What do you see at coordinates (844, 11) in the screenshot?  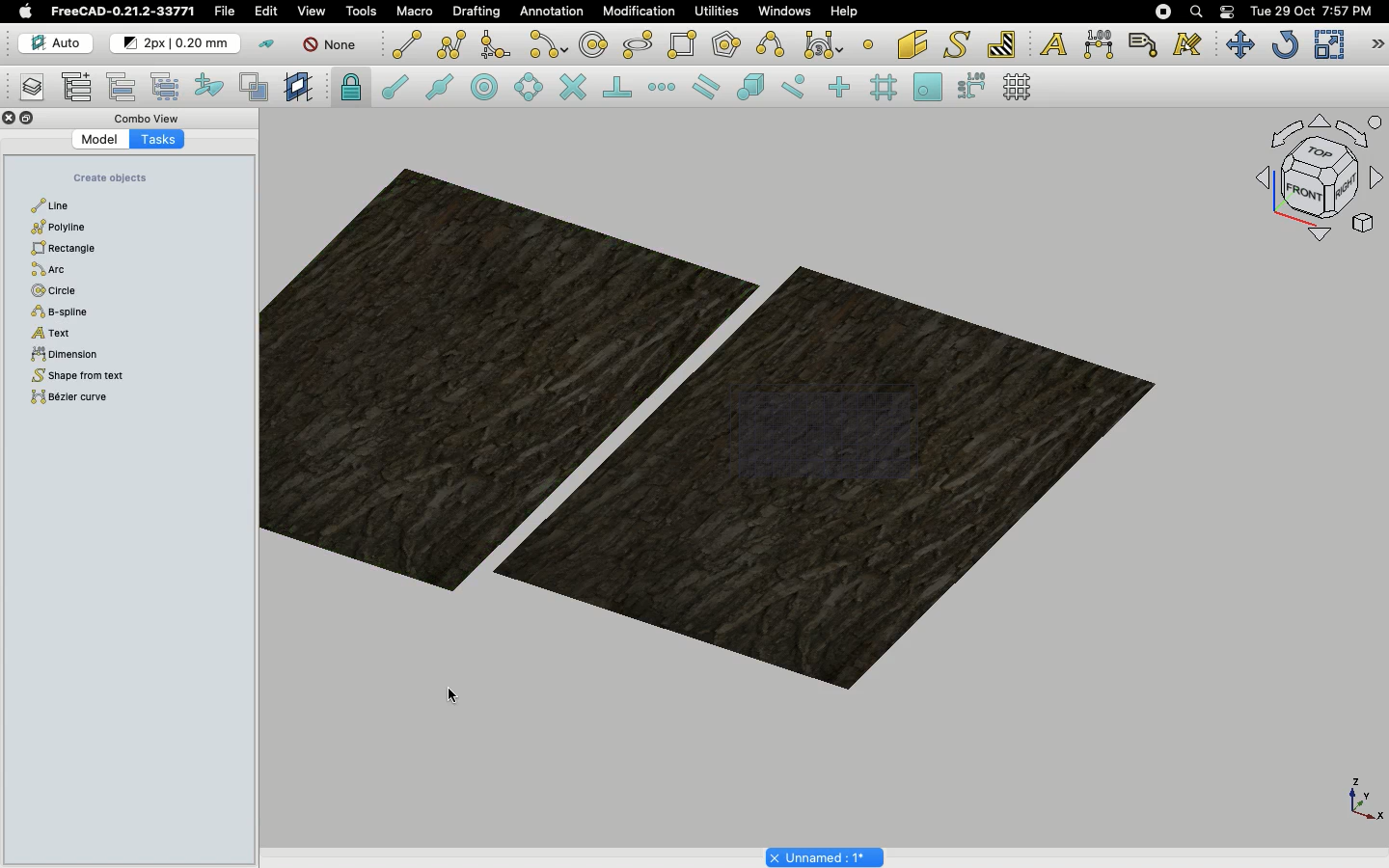 I see `Help` at bounding box center [844, 11].